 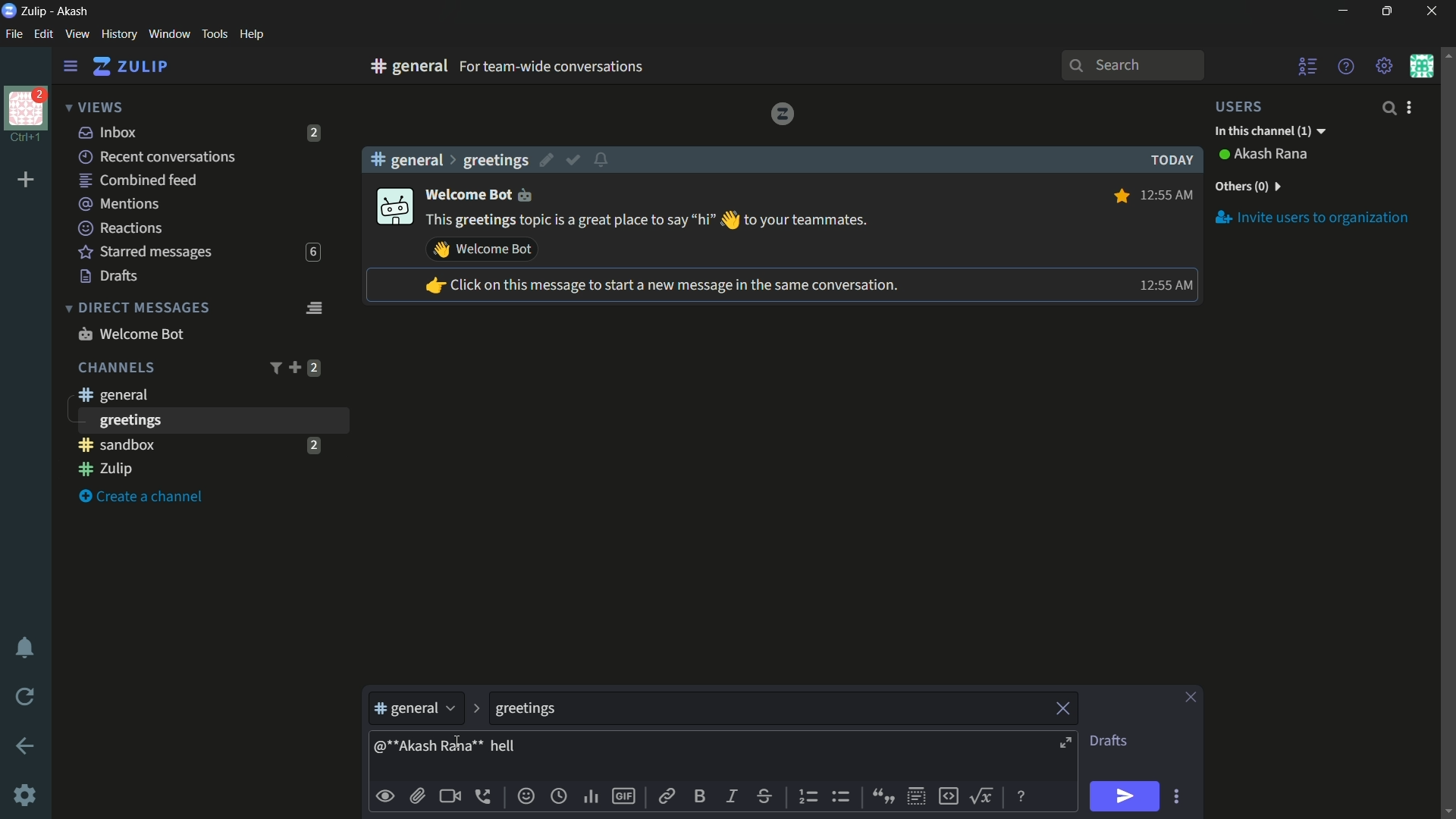 I want to click on add poll, so click(x=592, y=798).